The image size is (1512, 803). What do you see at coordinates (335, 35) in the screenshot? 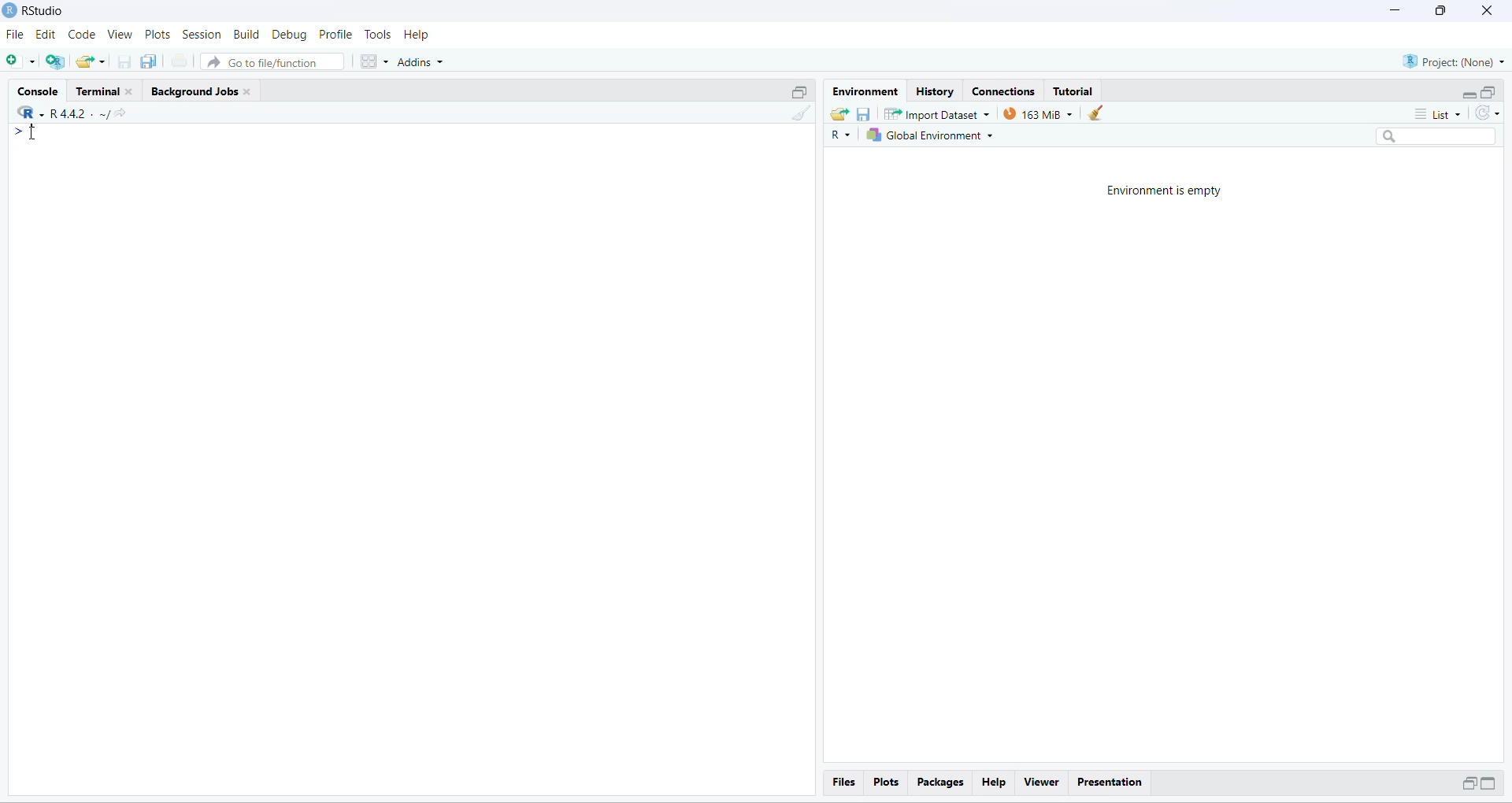
I see `Profile` at bounding box center [335, 35].